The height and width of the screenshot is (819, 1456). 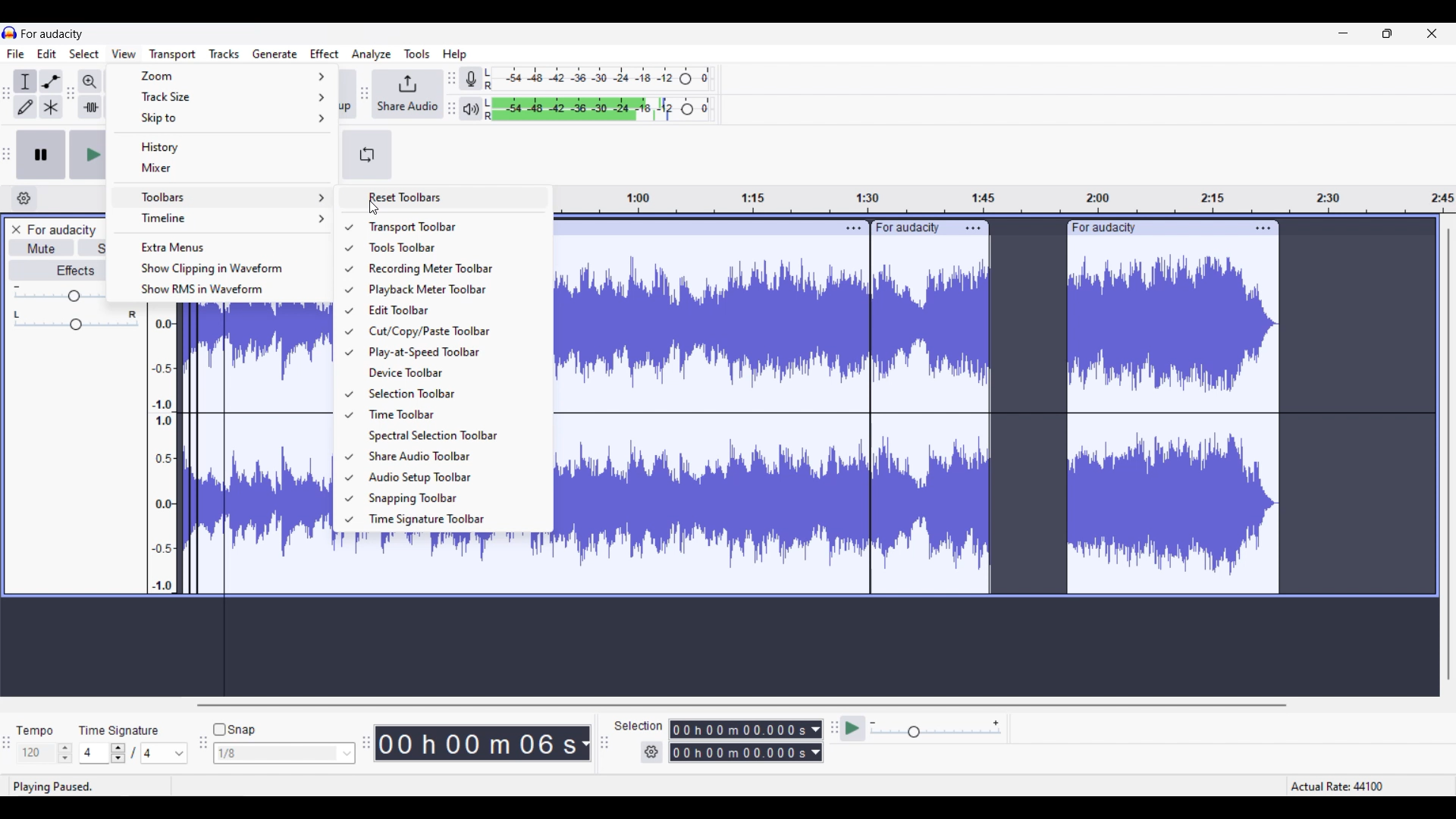 I want to click on selection, so click(x=639, y=726).